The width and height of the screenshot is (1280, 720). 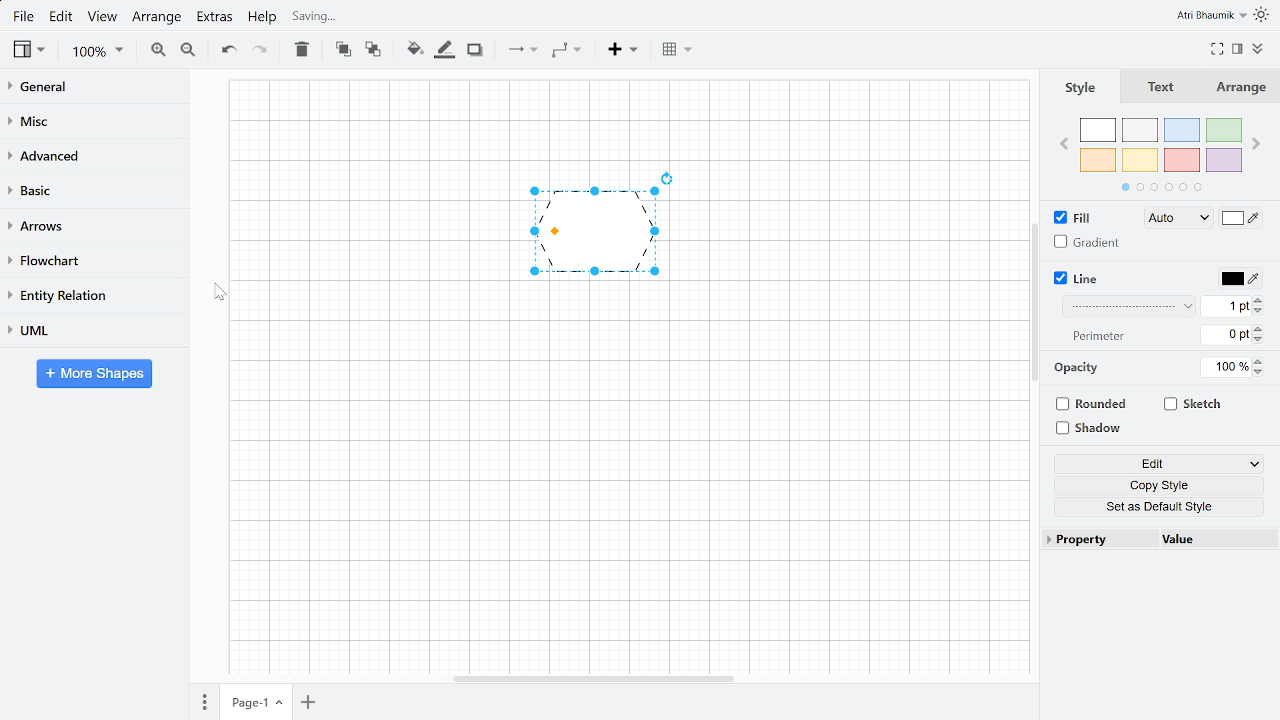 What do you see at coordinates (156, 52) in the screenshot?
I see `Zoom in` at bounding box center [156, 52].